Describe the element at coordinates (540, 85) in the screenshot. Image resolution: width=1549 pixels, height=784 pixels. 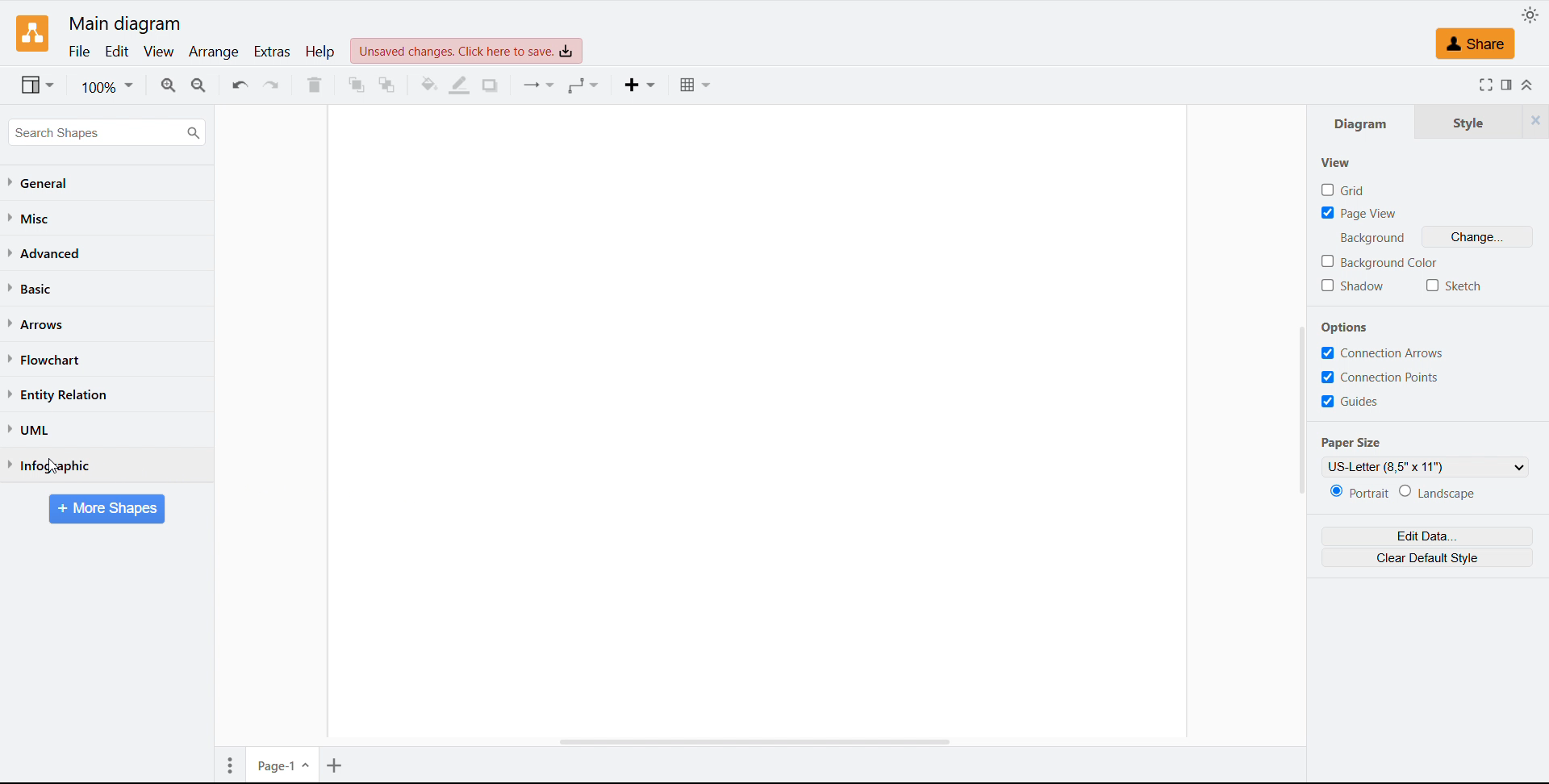
I see `Connectors ` at that location.